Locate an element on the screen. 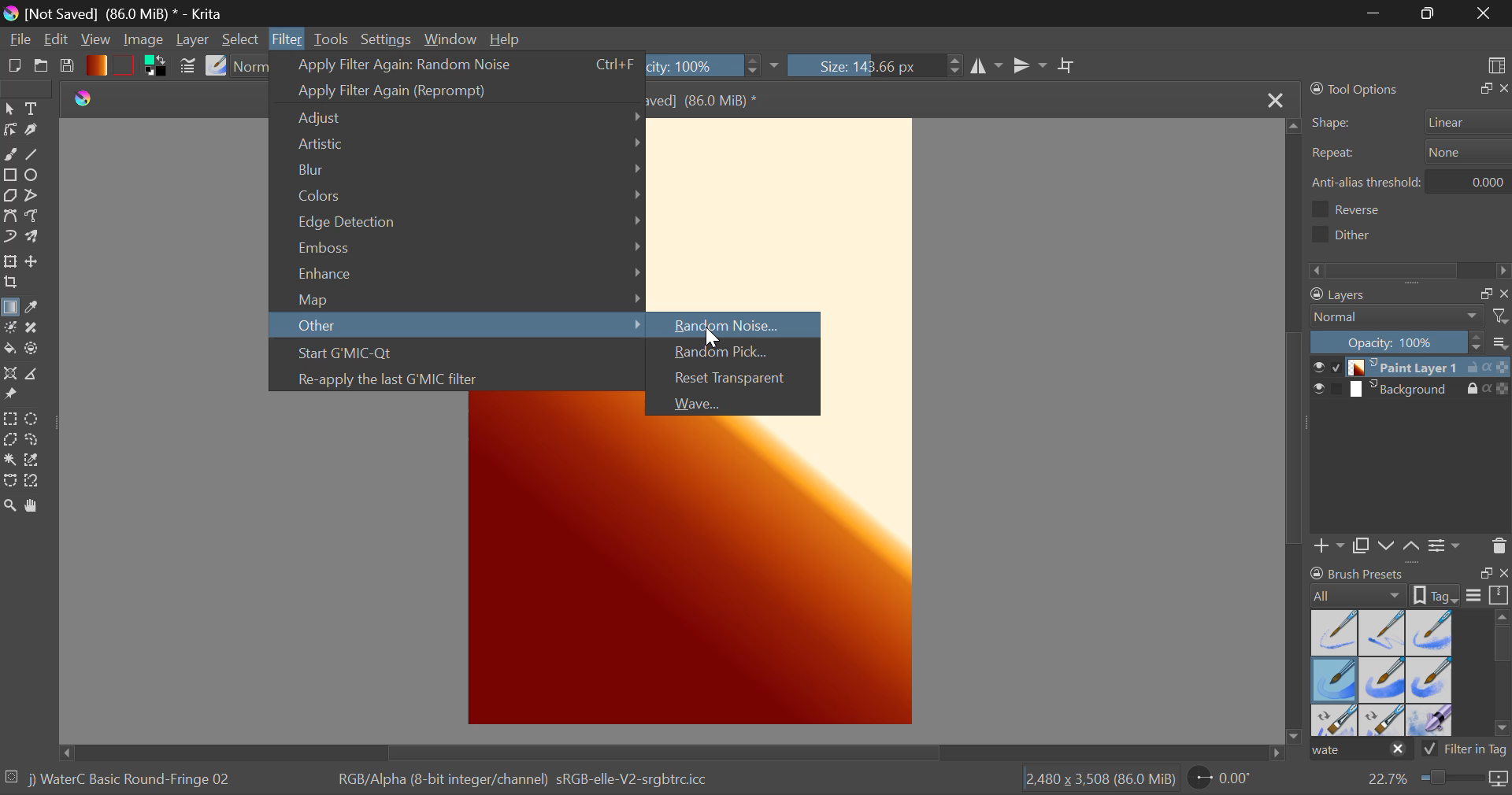 The height and width of the screenshot is (795, 1512). Brush presets is located at coordinates (1360, 572).